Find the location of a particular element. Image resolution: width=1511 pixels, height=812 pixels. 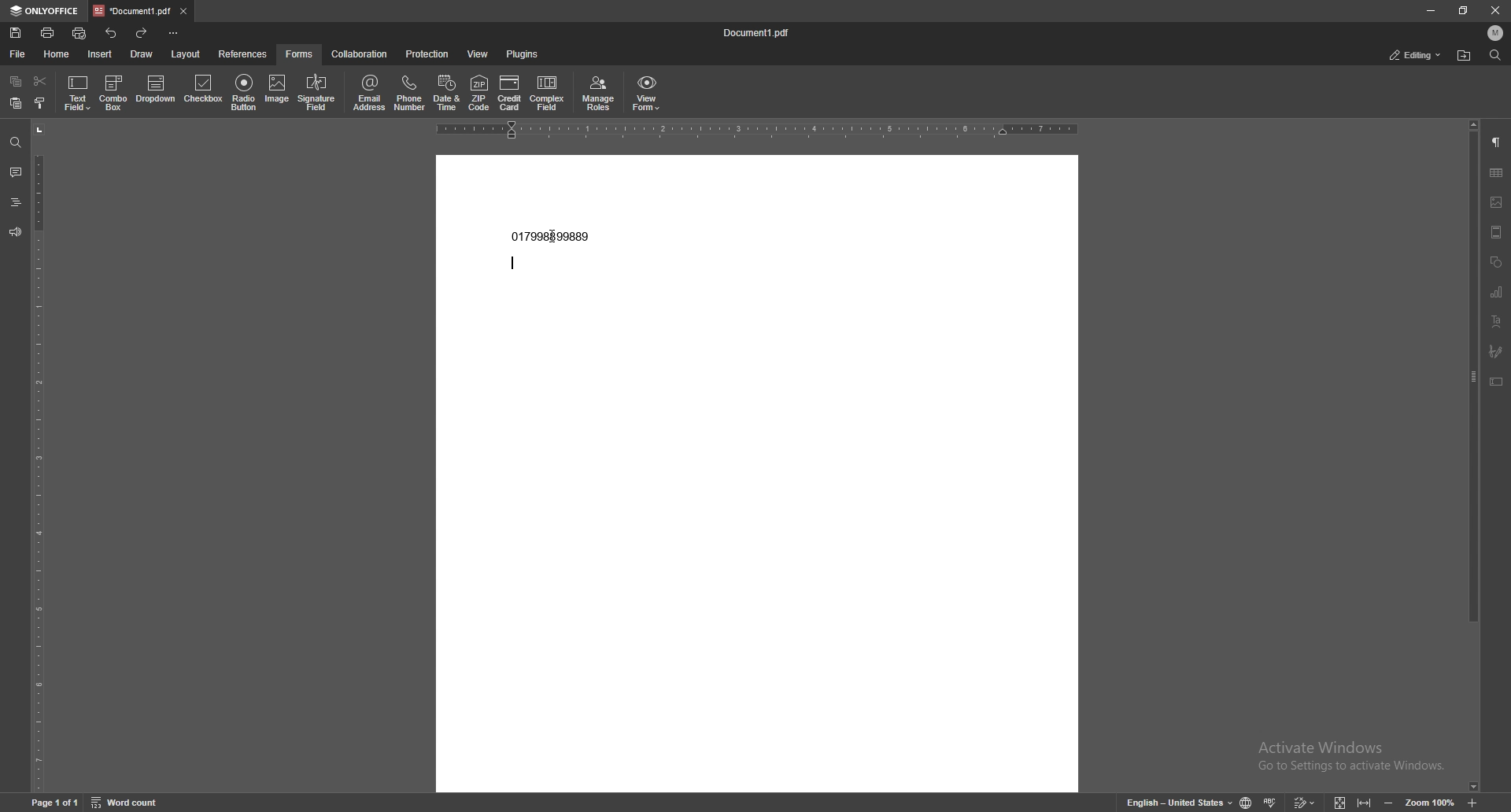

checkbox is located at coordinates (204, 90).